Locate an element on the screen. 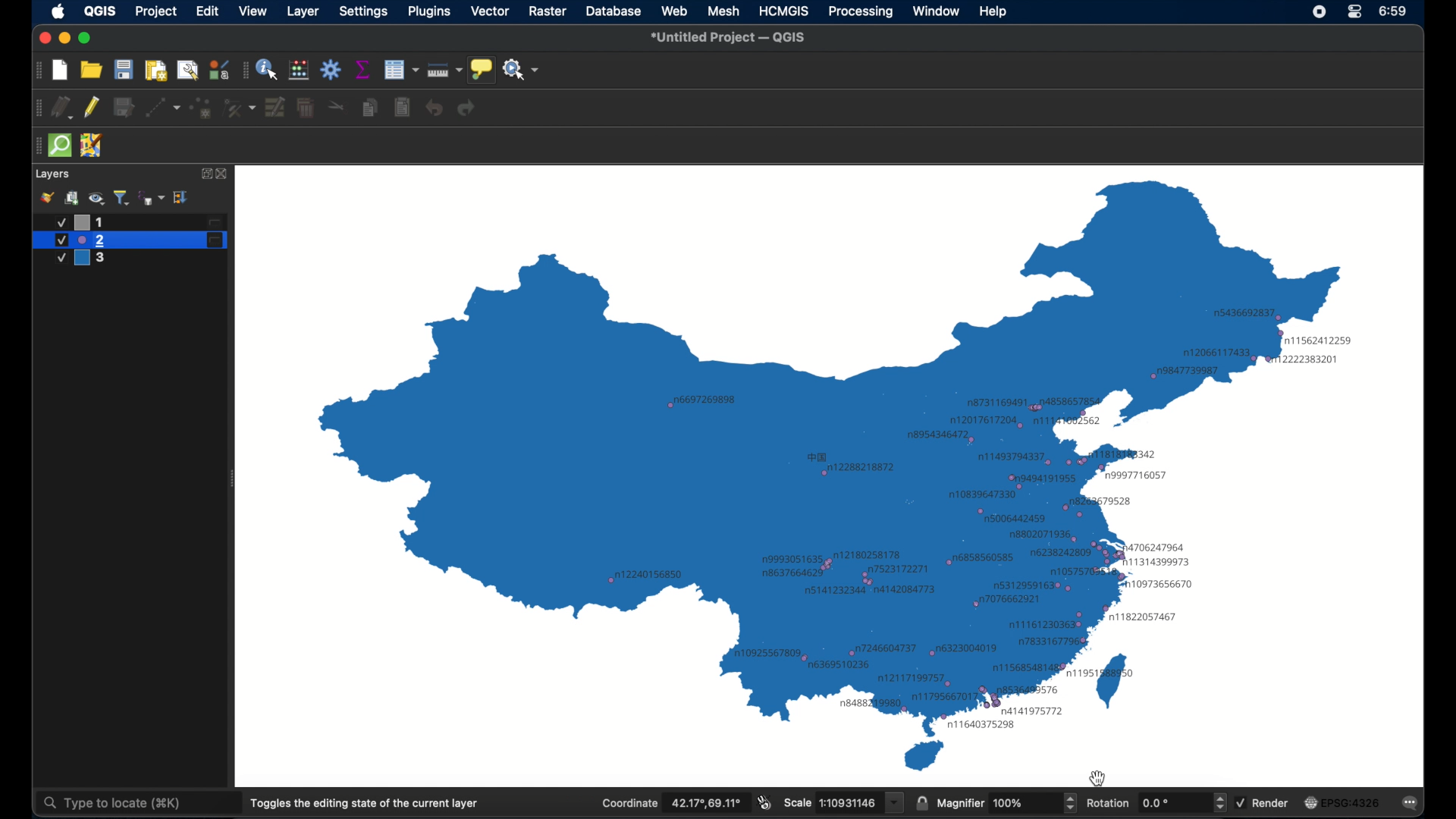 The width and height of the screenshot is (1456, 819). quick osm is located at coordinates (61, 146).